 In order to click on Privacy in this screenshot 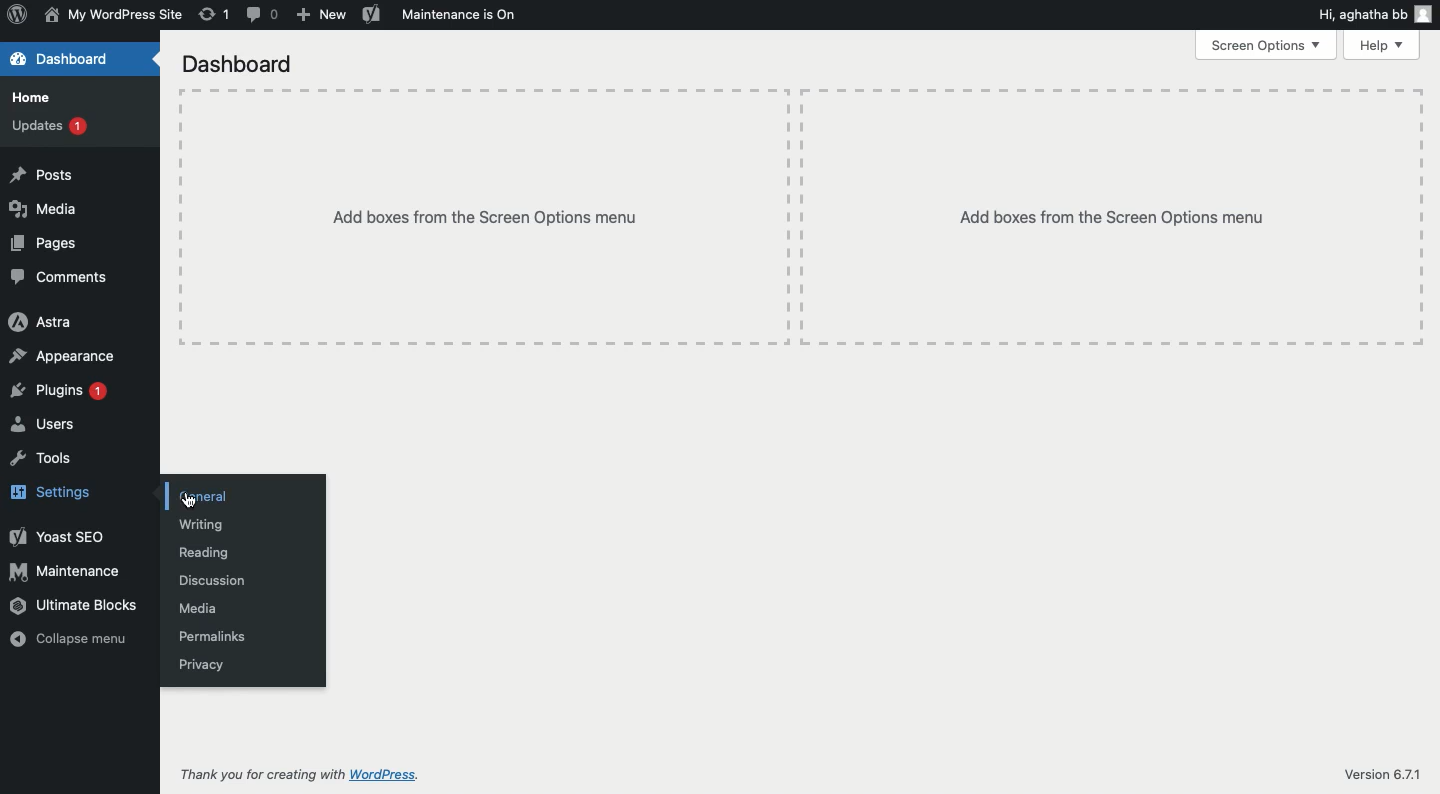, I will do `click(202, 665)`.